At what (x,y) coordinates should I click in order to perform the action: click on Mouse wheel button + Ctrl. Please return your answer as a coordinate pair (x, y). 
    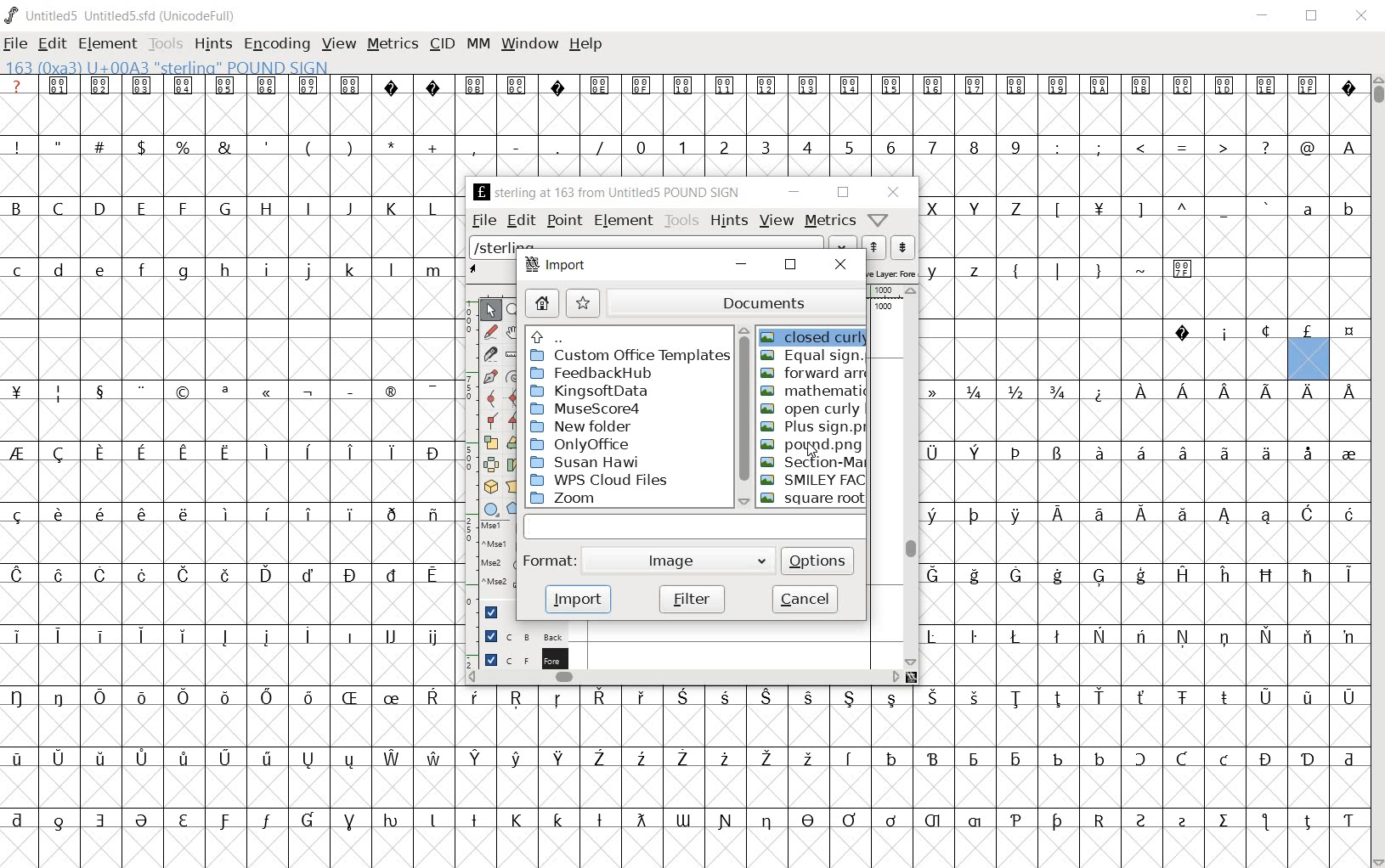
    Looking at the image, I should click on (497, 582).